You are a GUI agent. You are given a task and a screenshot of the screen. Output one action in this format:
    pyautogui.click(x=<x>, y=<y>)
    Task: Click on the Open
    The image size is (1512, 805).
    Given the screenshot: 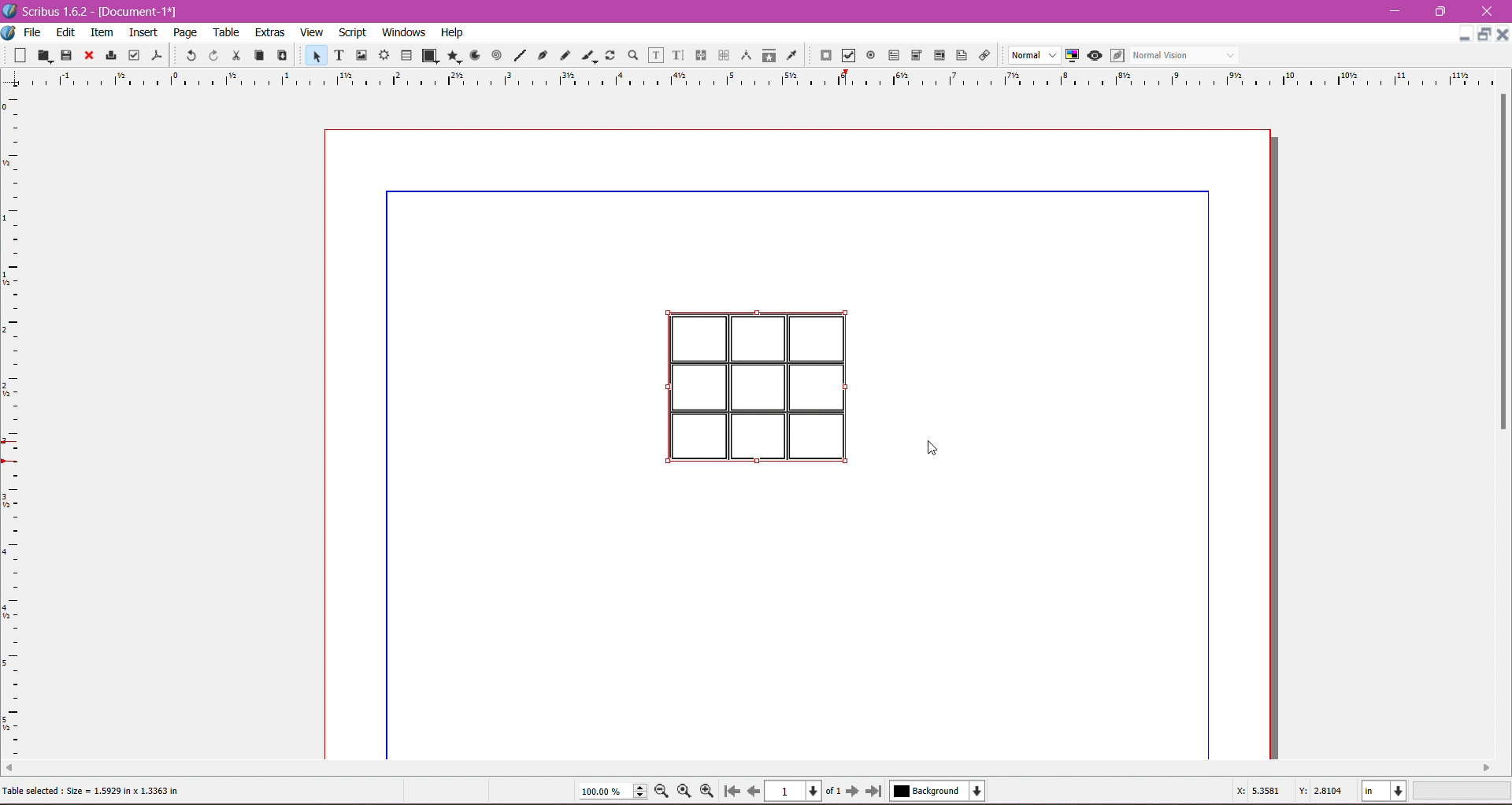 What is the action you would take?
    pyautogui.click(x=46, y=54)
    